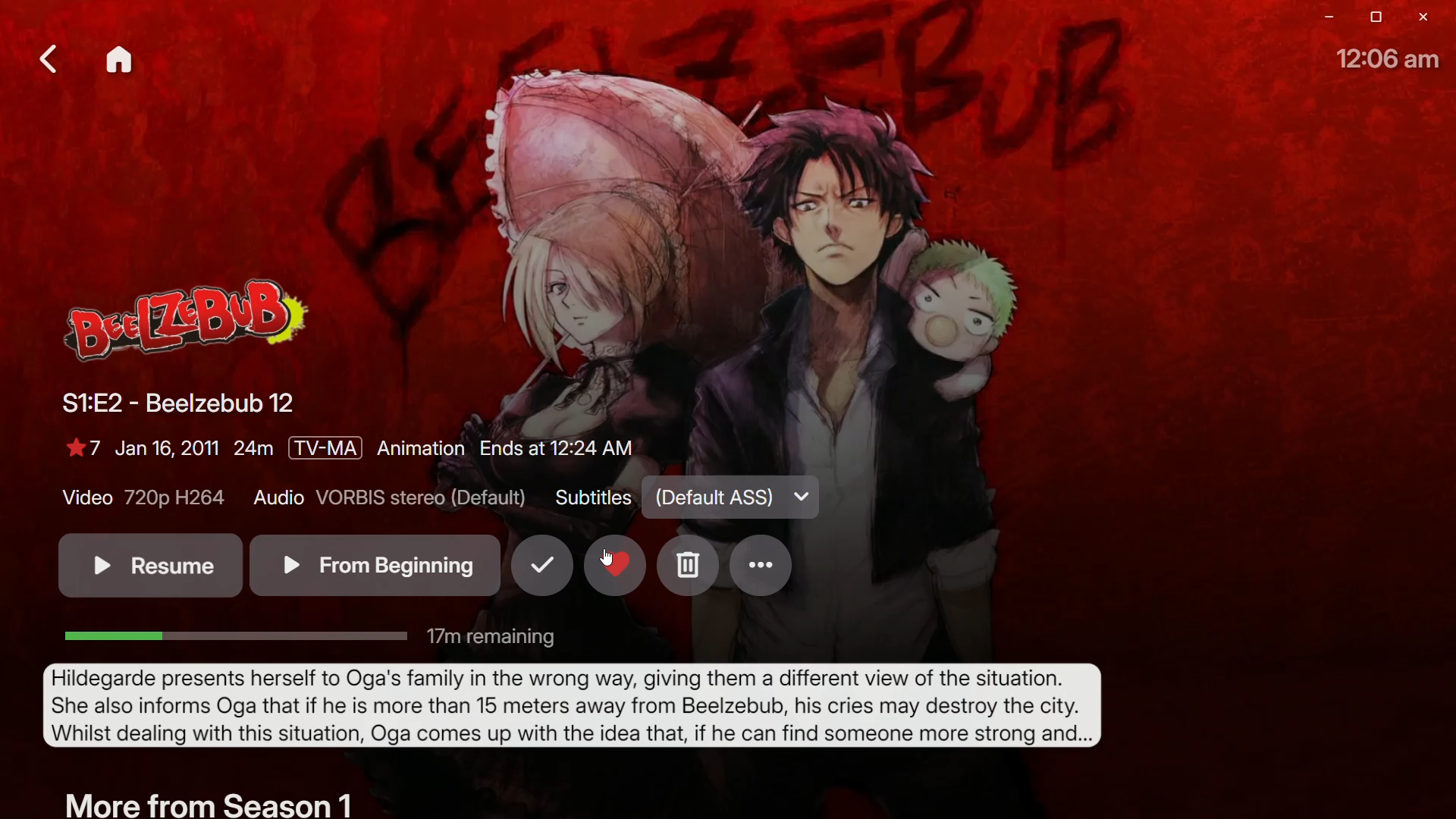 The width and height of the screenshot is (1456, 819). I want to click on Time, so click(1393, 60).